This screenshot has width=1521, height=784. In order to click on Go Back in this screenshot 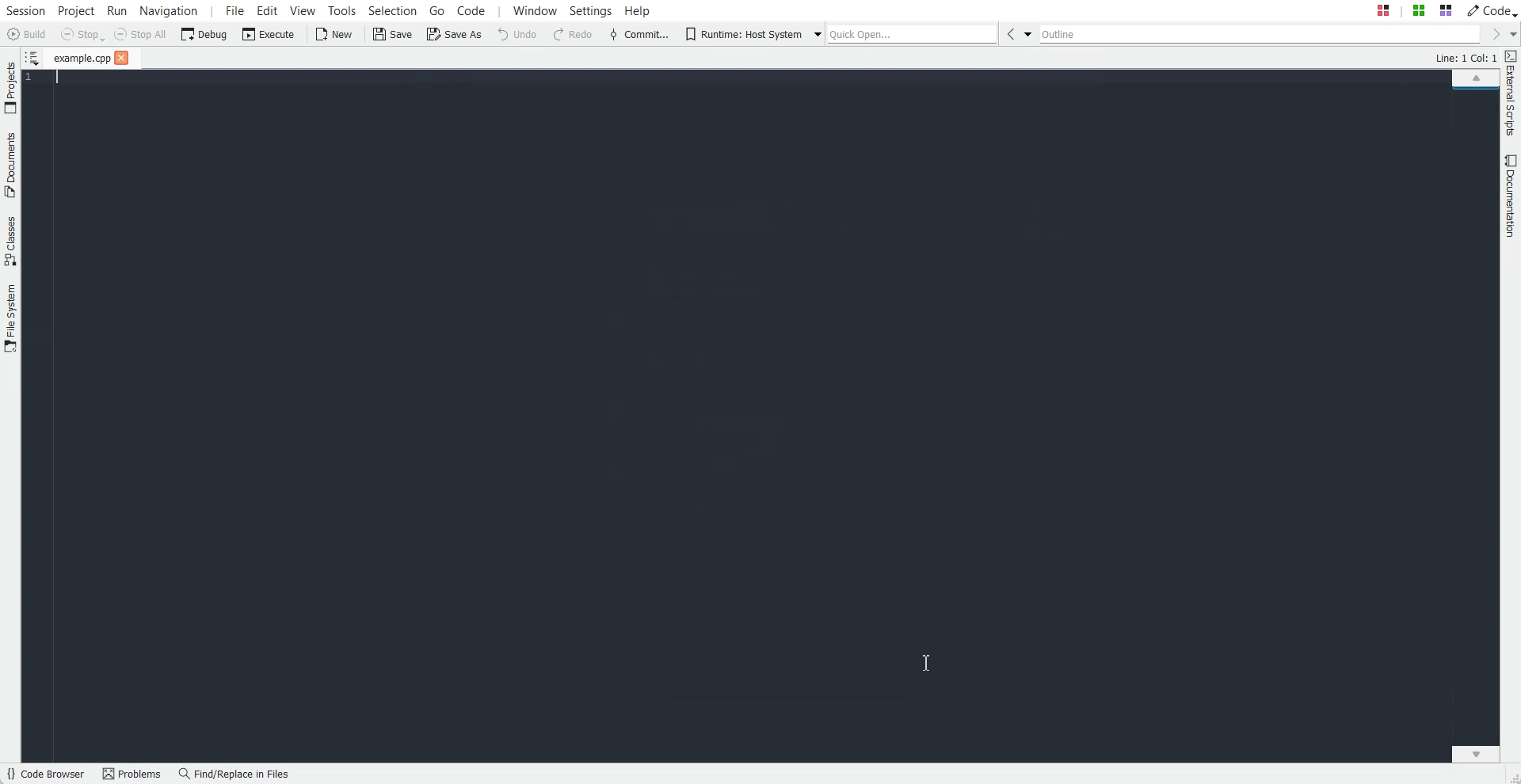, I will do `click(1008, 33)`.